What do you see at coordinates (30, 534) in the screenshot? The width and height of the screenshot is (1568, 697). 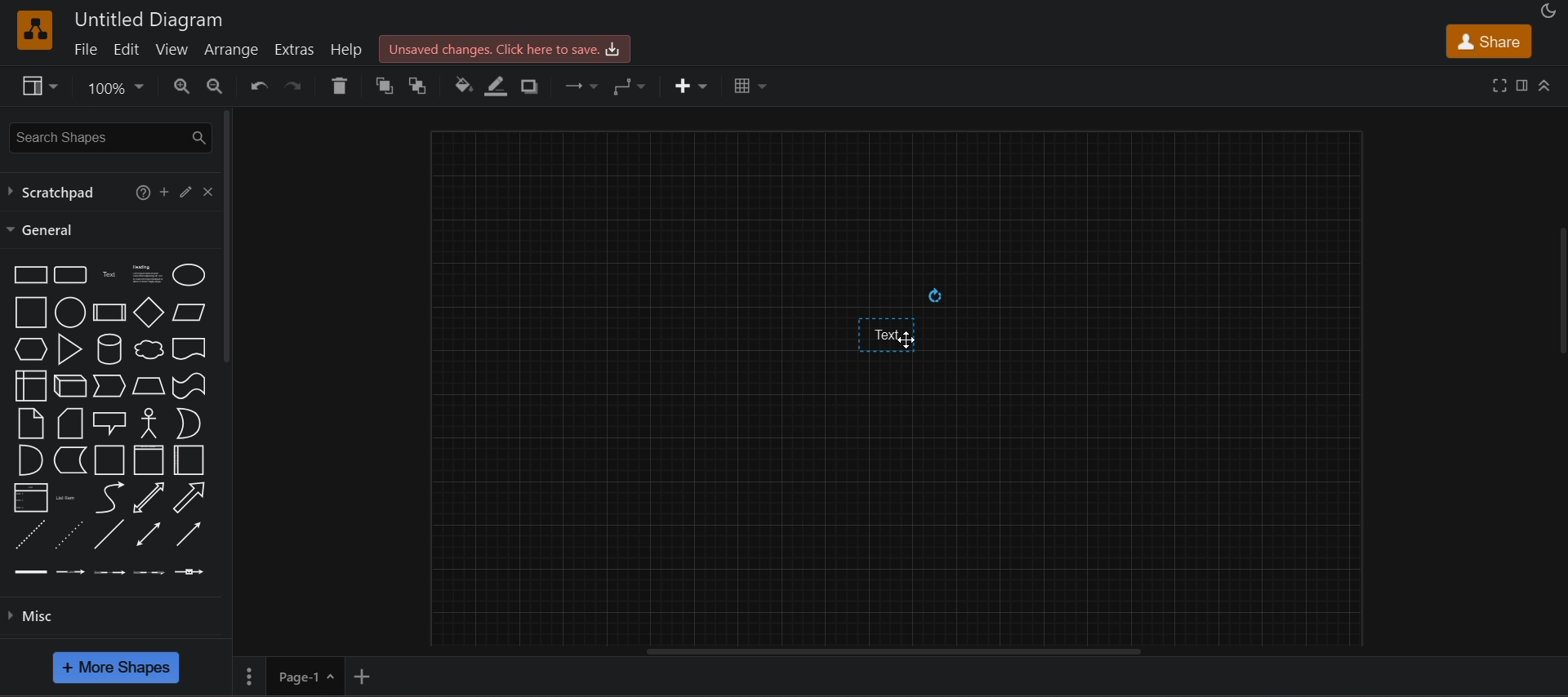 I see `Dashed line` at bounding box center [30, 534].